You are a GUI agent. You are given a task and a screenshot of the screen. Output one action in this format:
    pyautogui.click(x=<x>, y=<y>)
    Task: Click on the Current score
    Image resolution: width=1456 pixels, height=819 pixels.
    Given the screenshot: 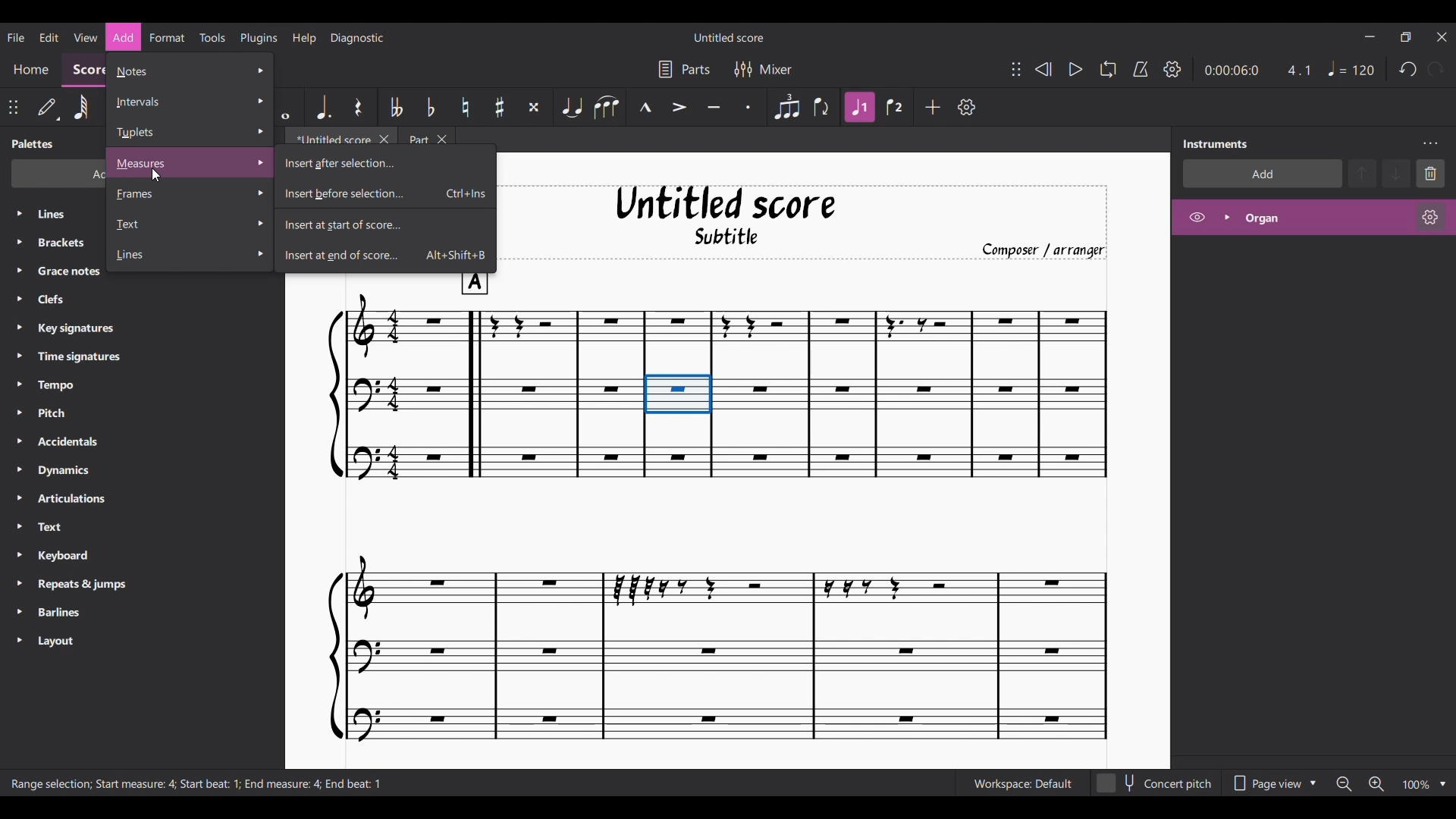 What is the action you would take?
    pyautogui.click(x=717, y=510)
    